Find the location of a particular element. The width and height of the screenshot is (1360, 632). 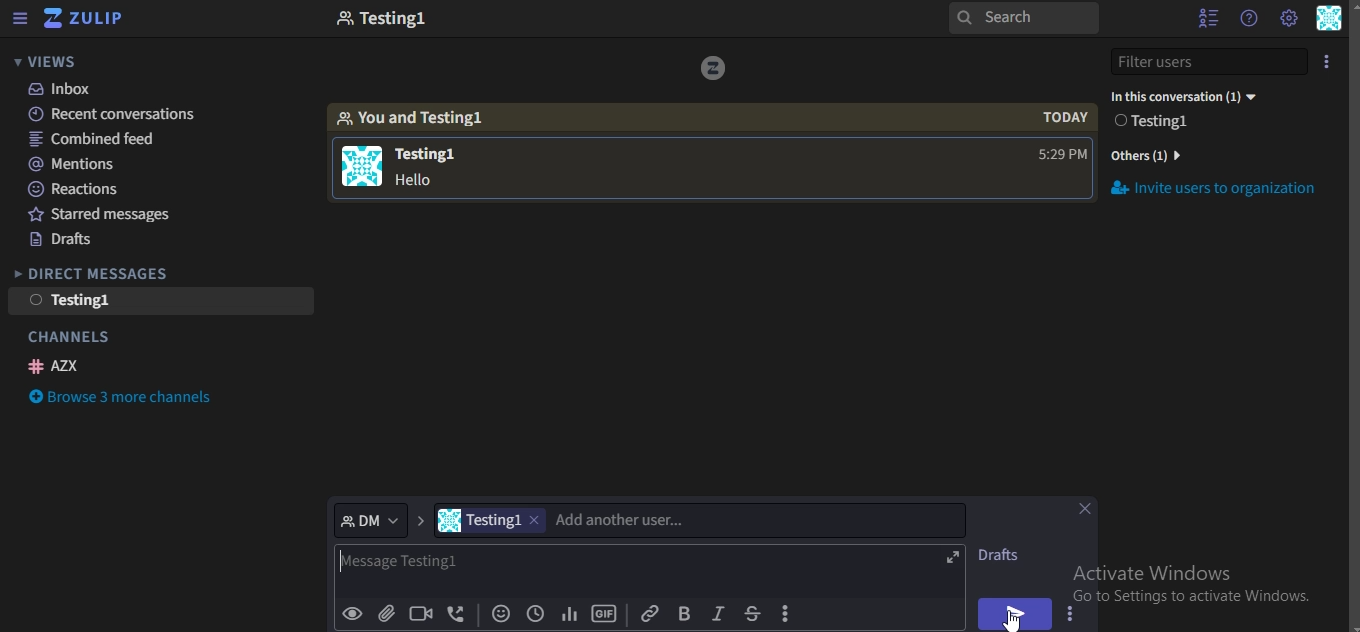

GIF is located at coordinates (604, 614).